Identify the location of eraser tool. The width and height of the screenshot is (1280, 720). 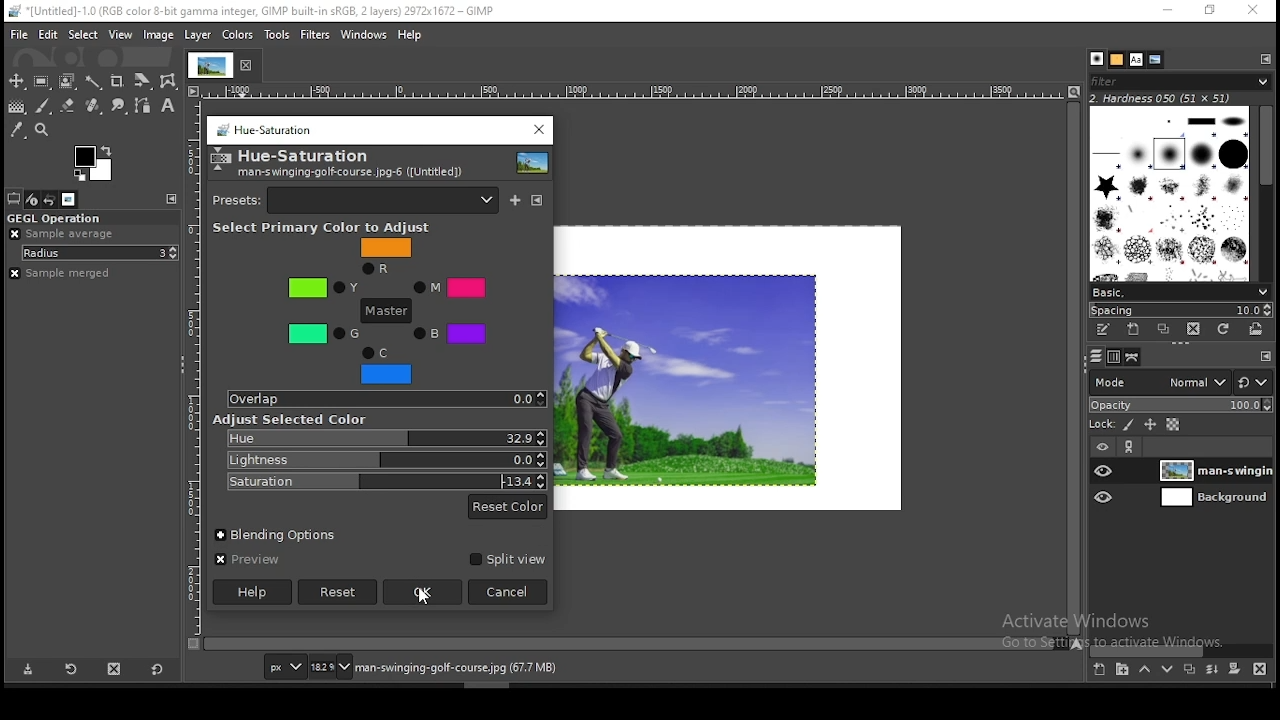
(95, 107).